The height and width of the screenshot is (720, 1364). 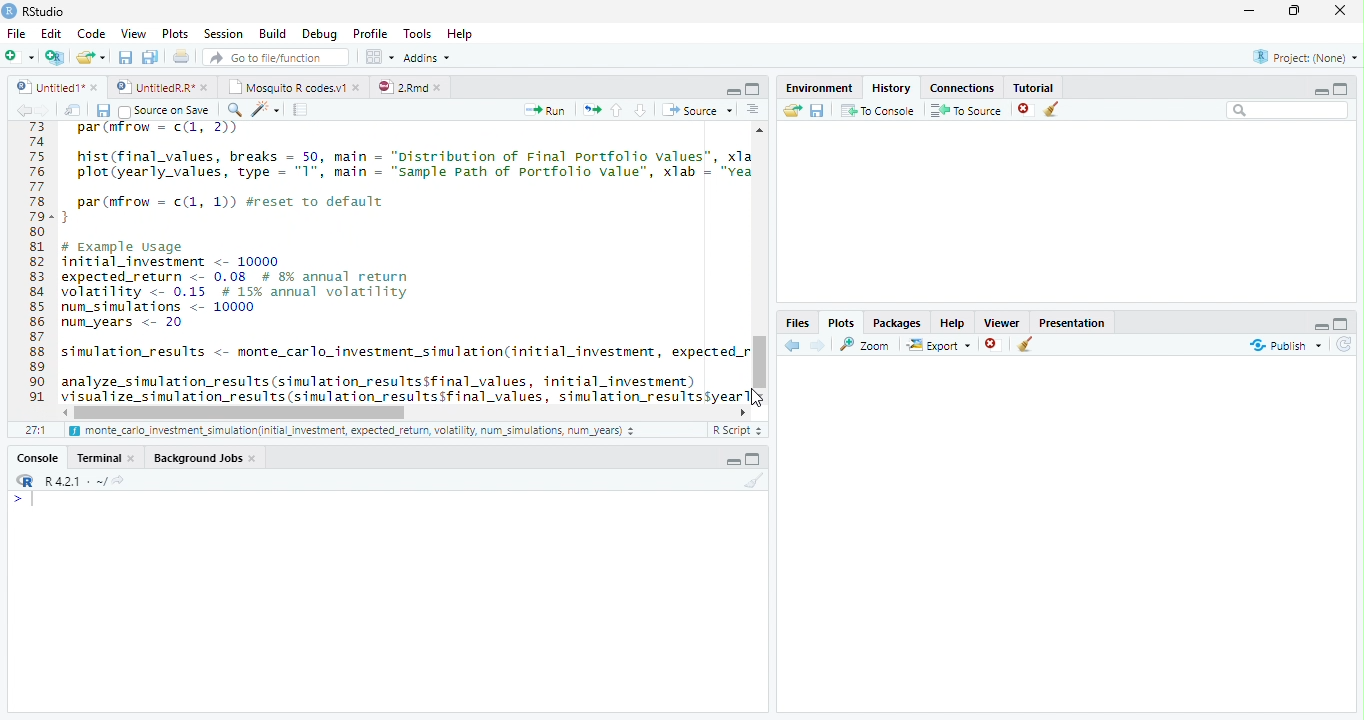 I want to click on Hide, so click(x=1319, y=324).